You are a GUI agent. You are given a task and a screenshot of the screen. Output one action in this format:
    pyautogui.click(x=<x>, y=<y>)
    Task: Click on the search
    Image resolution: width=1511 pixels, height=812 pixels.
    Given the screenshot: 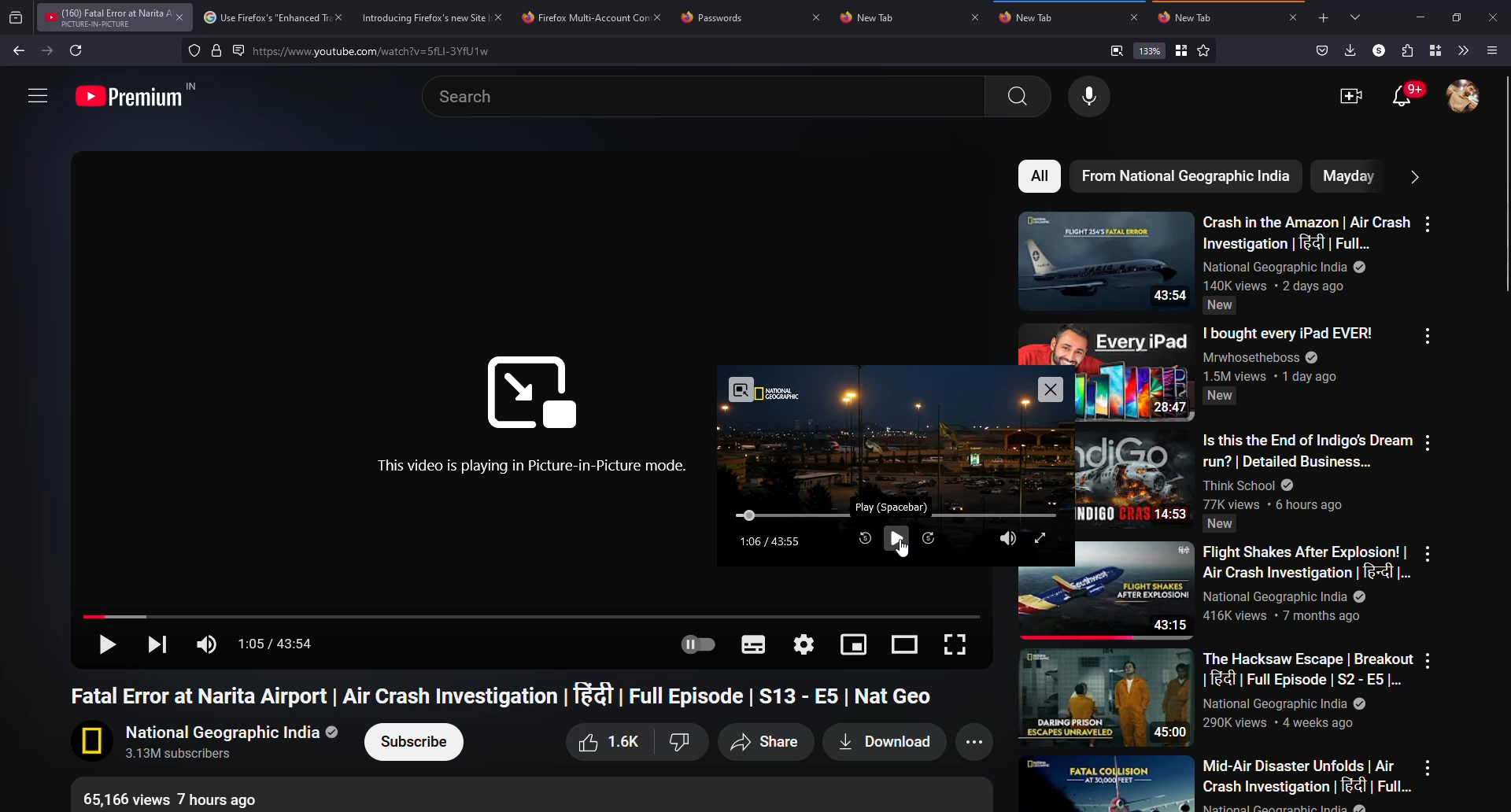 What is the action you would take?
    pyautogui.click(x=709, y=97)
    